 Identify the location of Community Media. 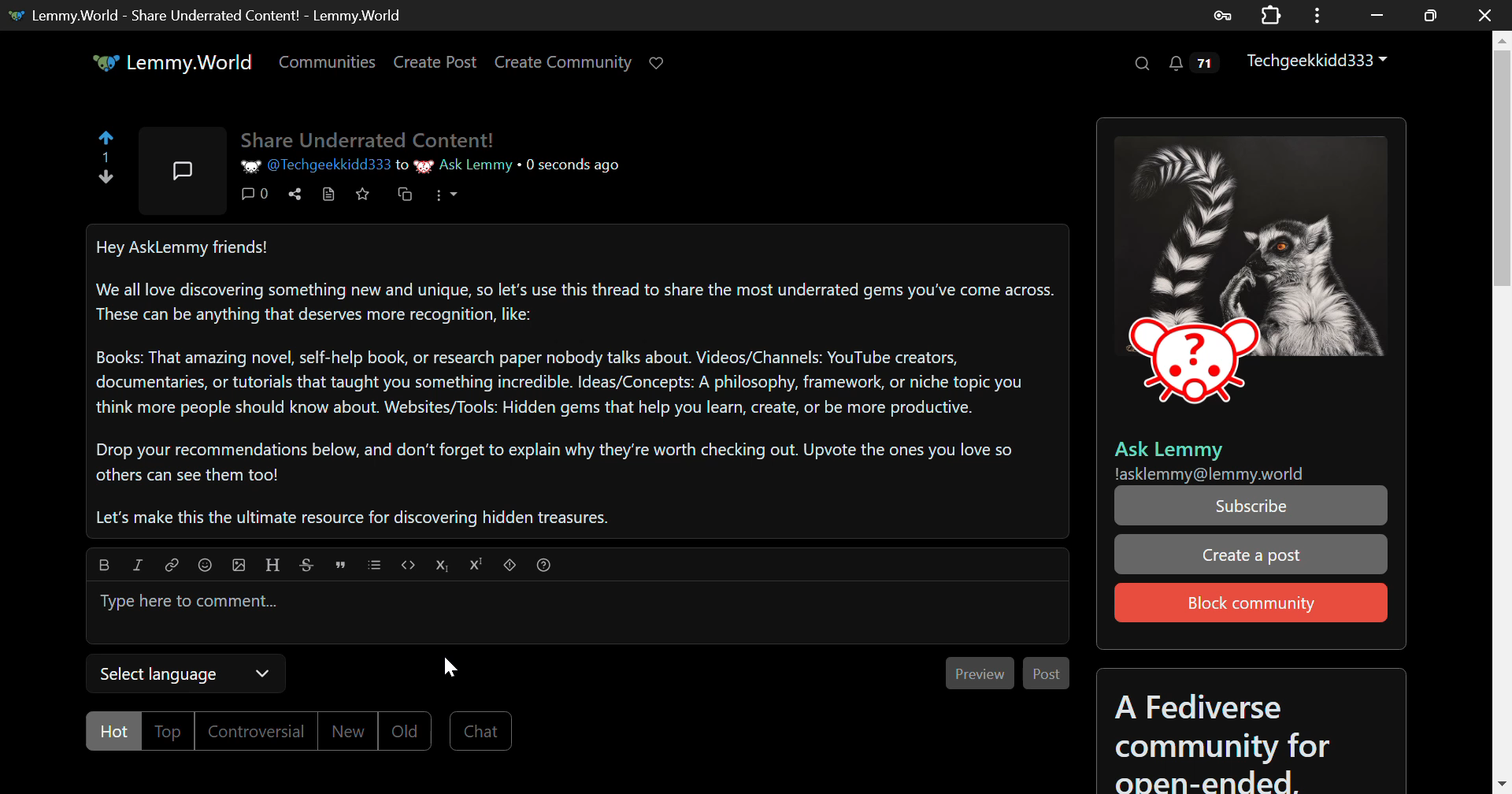
(1251, 280).